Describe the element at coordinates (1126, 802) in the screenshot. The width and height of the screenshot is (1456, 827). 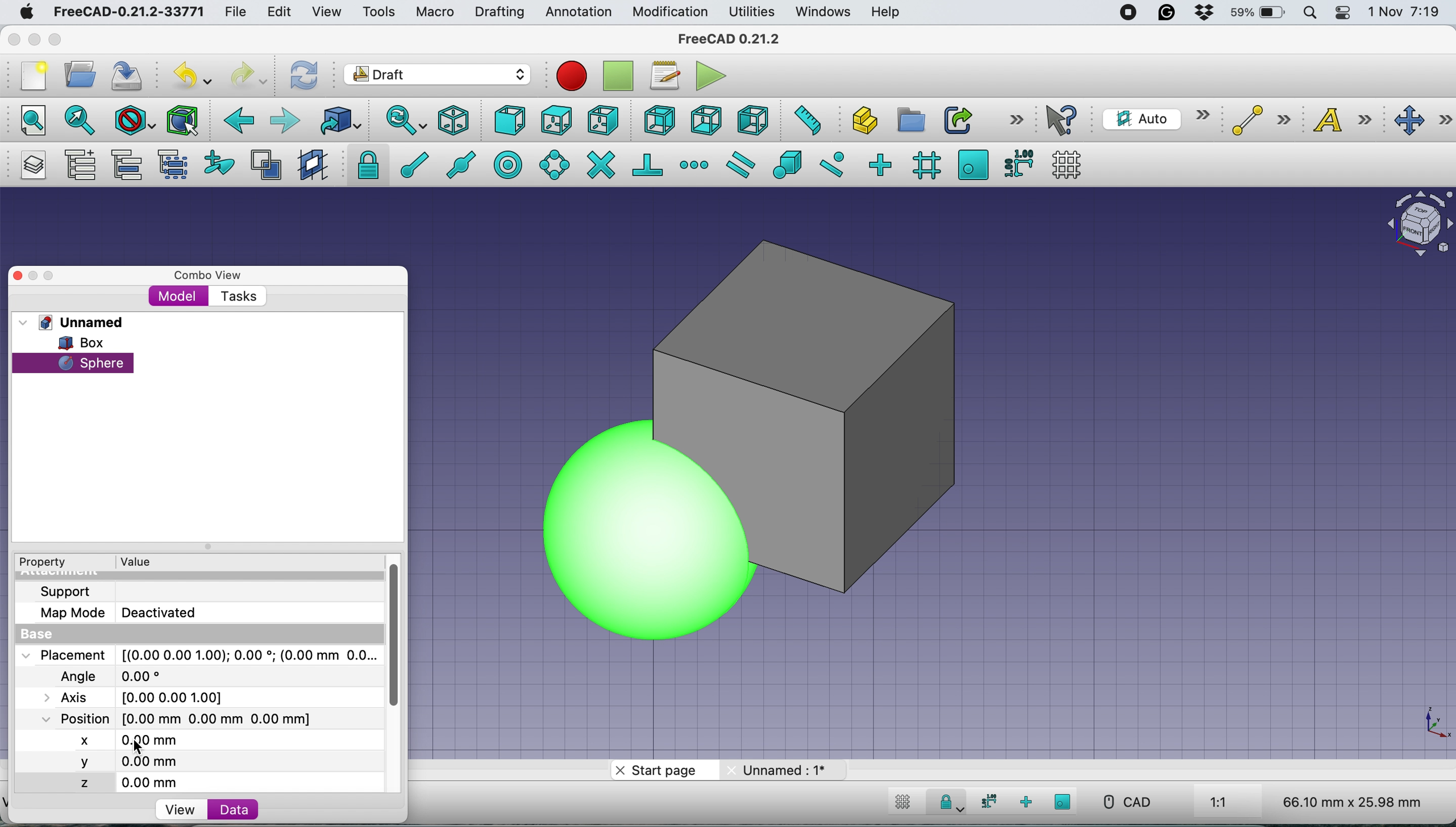
I see `cad` at that location.